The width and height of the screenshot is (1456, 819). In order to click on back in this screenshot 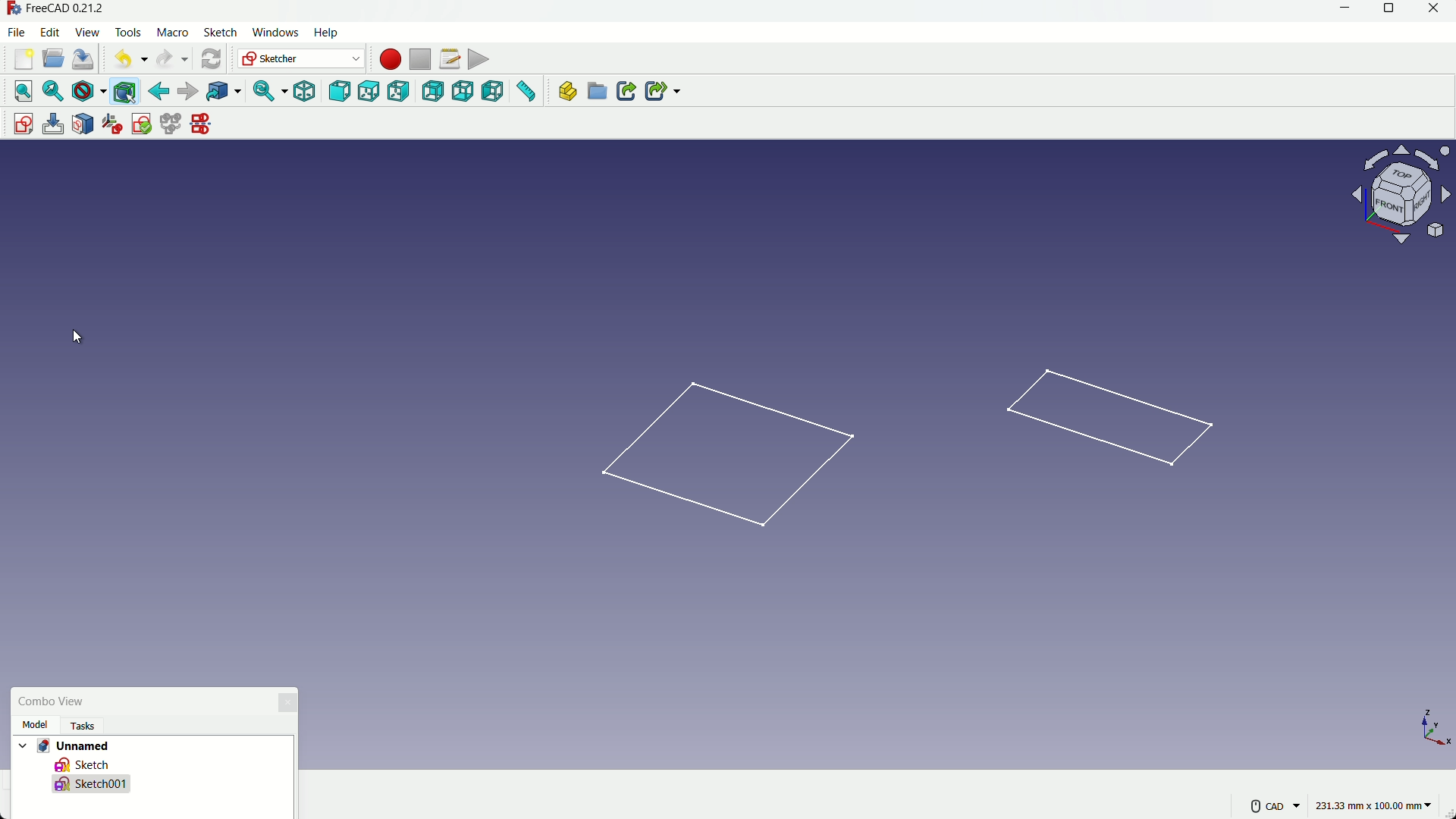, I will do `click(158, 91)`.